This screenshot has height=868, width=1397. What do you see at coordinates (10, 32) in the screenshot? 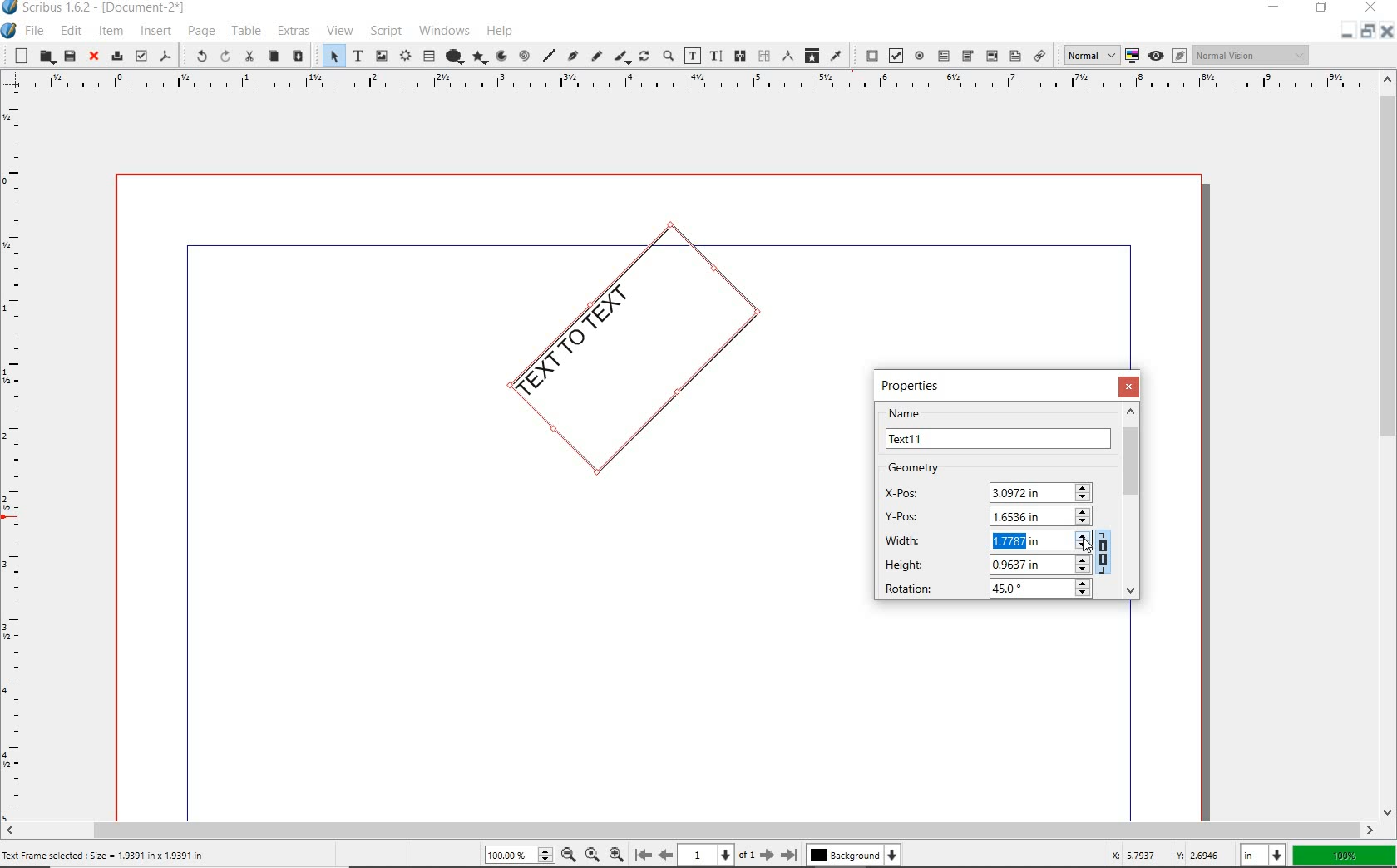
I see `system icon` at bounding box center [10, 32].